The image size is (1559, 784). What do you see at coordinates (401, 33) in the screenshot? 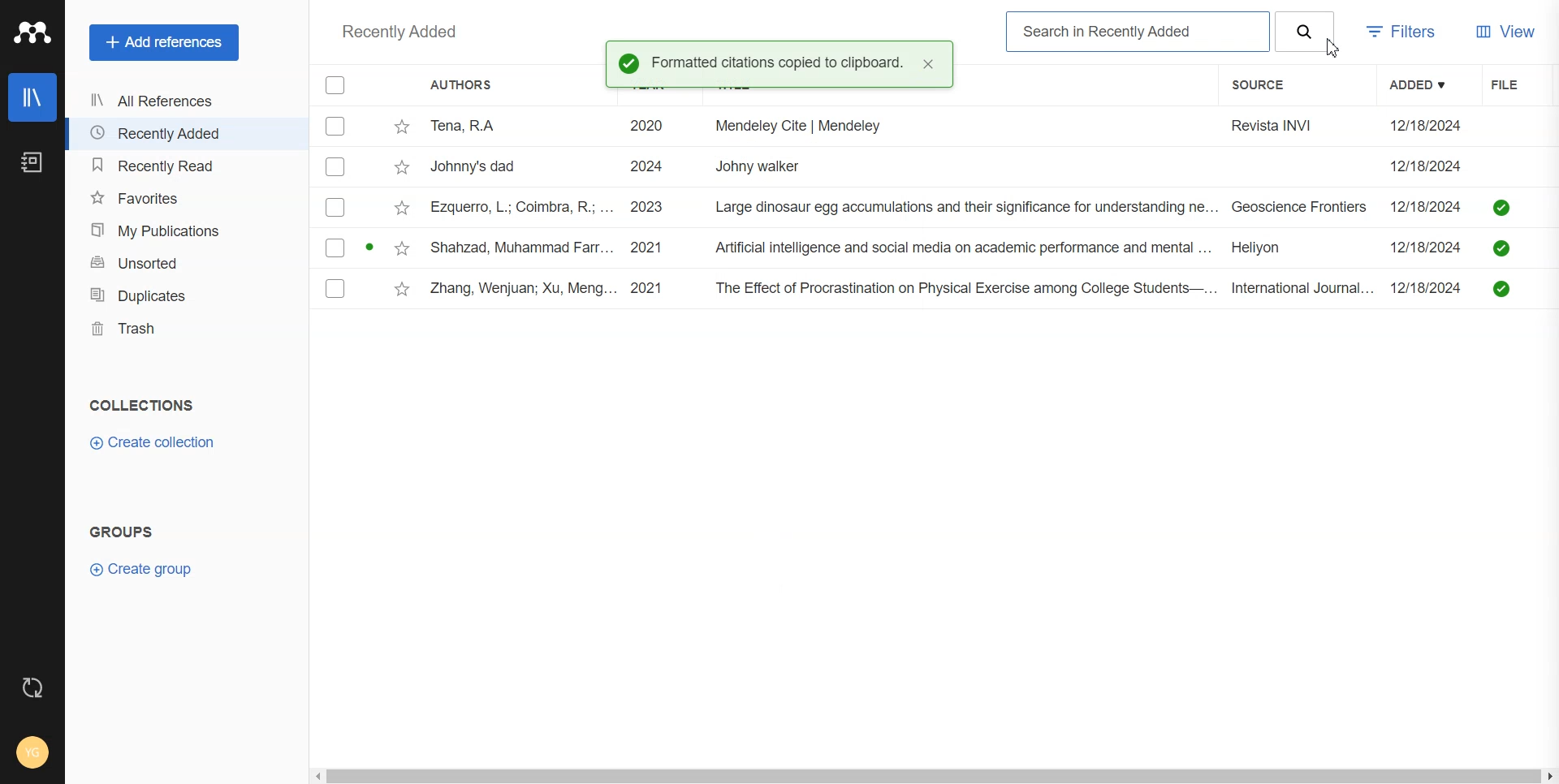
I see `Recently added ` at bounding box center [401, 33].